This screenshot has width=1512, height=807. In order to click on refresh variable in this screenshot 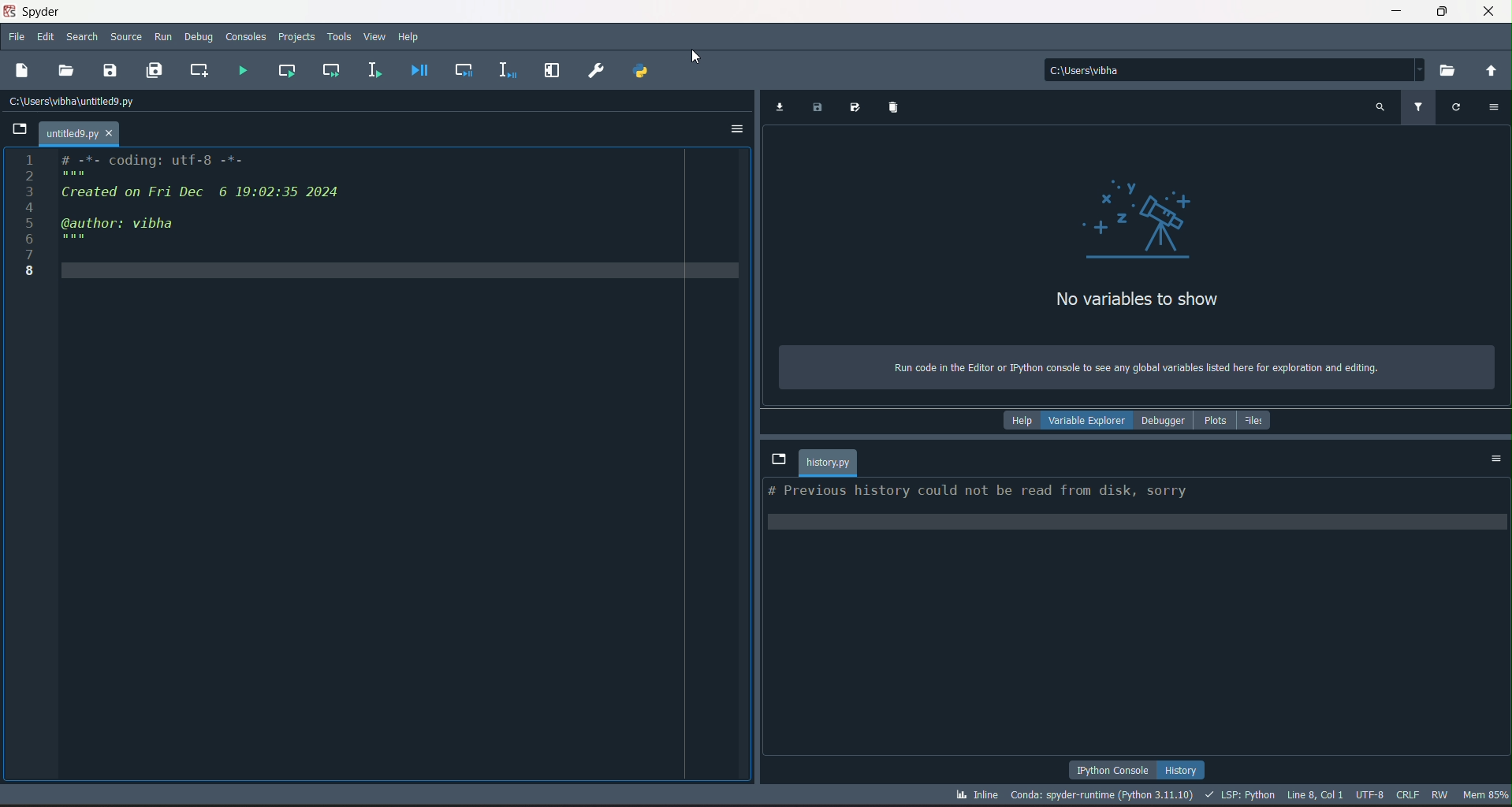, I will do `click(1456, 109)`.